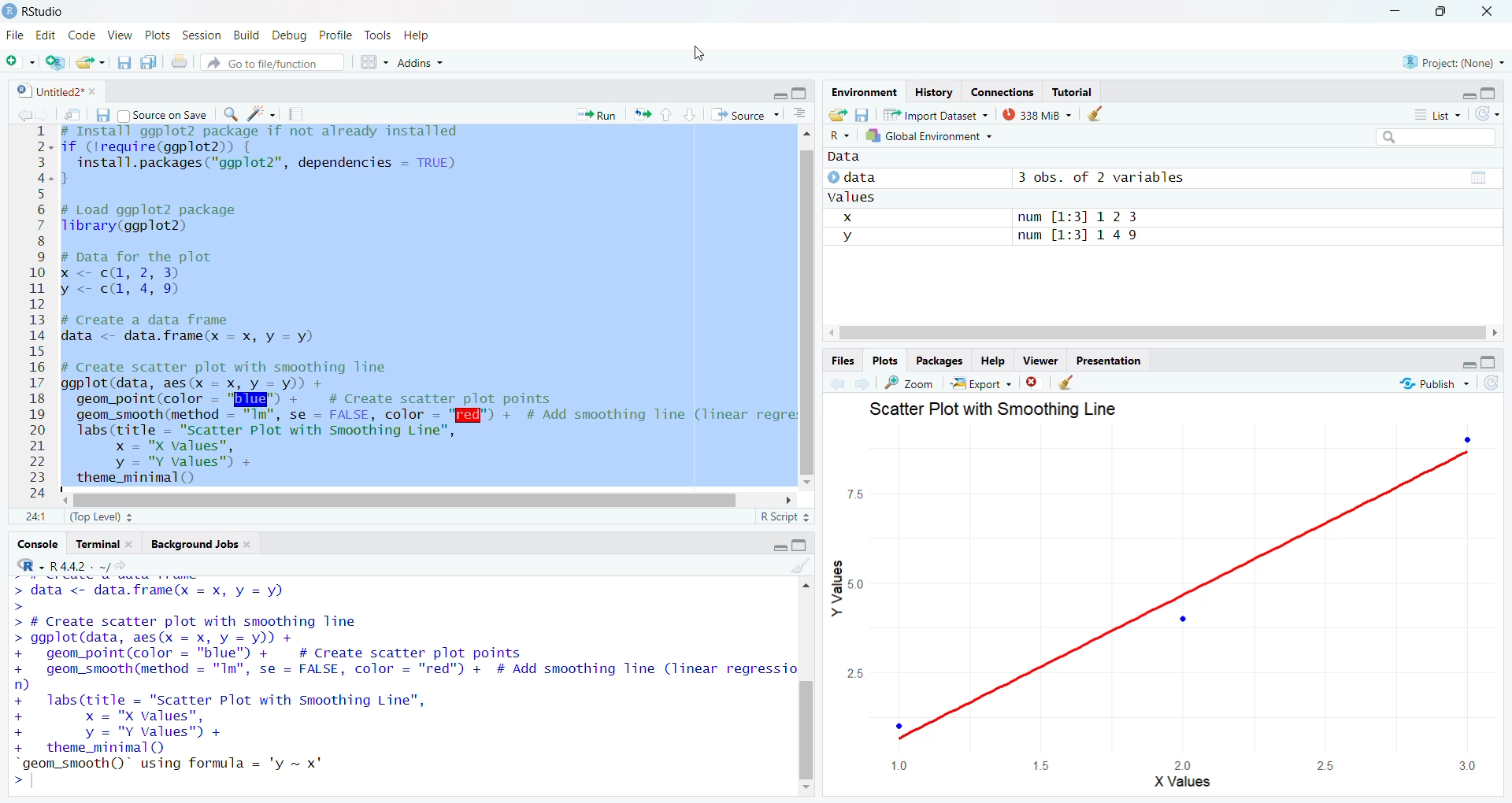 This screenshot has width=1512, height=803. What do you see at coordinates (202, 37) in the screenshot?
I see `Session` at bounding box center [202, 37].